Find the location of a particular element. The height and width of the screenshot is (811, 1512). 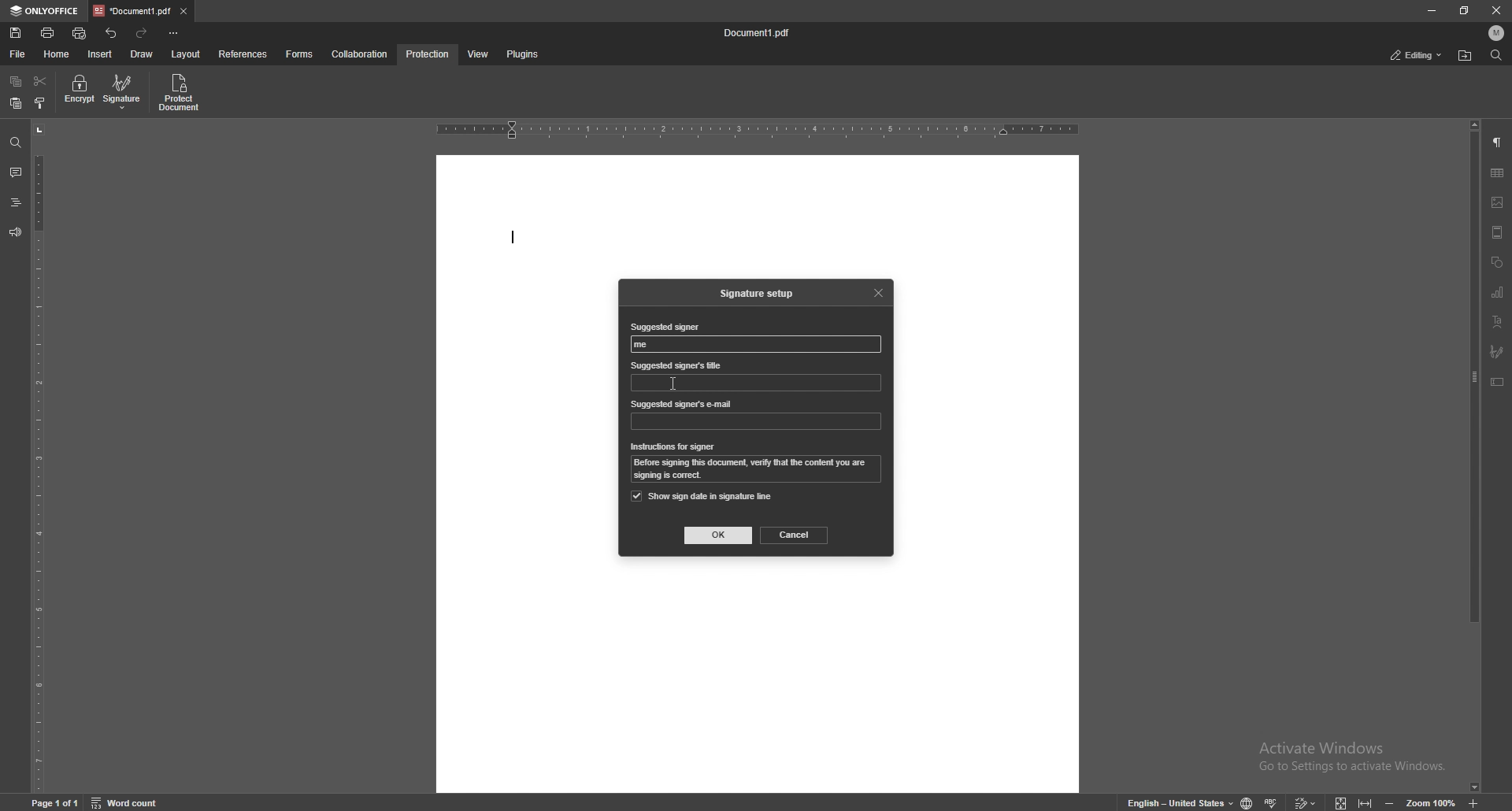

file name is located at coordinates (758, 33).